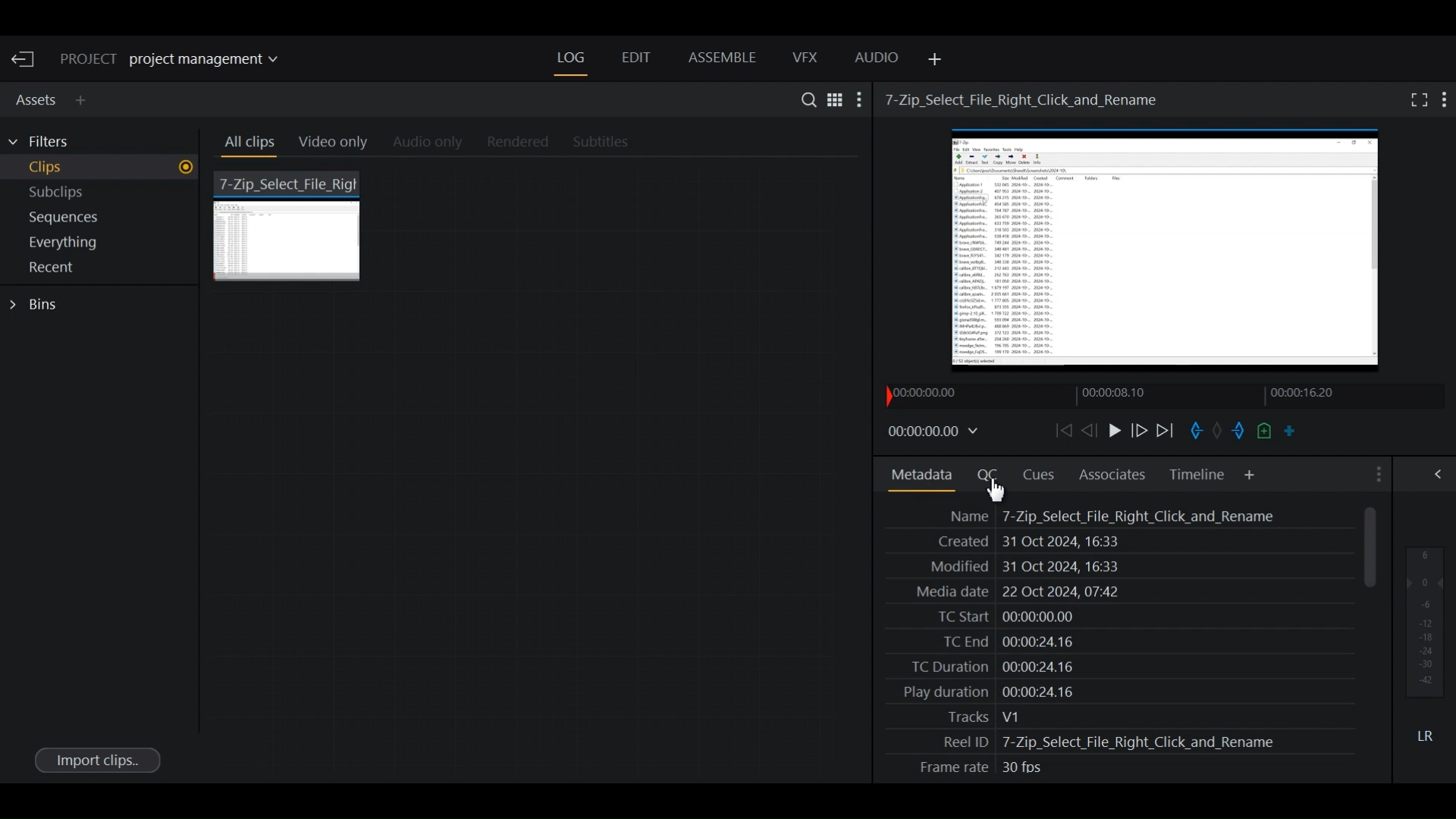 The height and width of the screenshot is (819, 1456). Describe the element at coordinates (180, 60) in the screenshot. I see `Show/change current project details` at that location.